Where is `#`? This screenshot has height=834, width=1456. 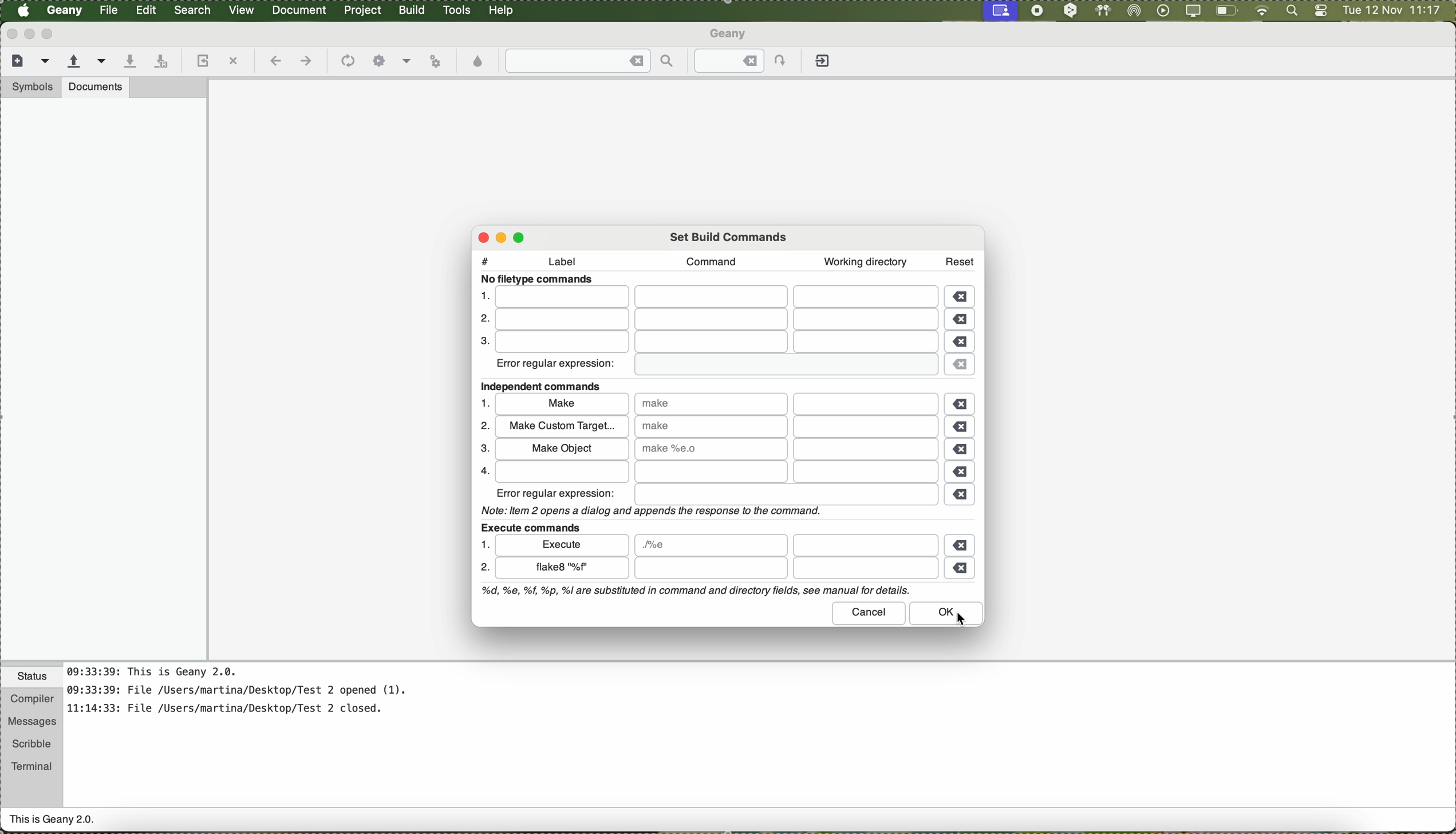 # is located at coordinates (485, 258).